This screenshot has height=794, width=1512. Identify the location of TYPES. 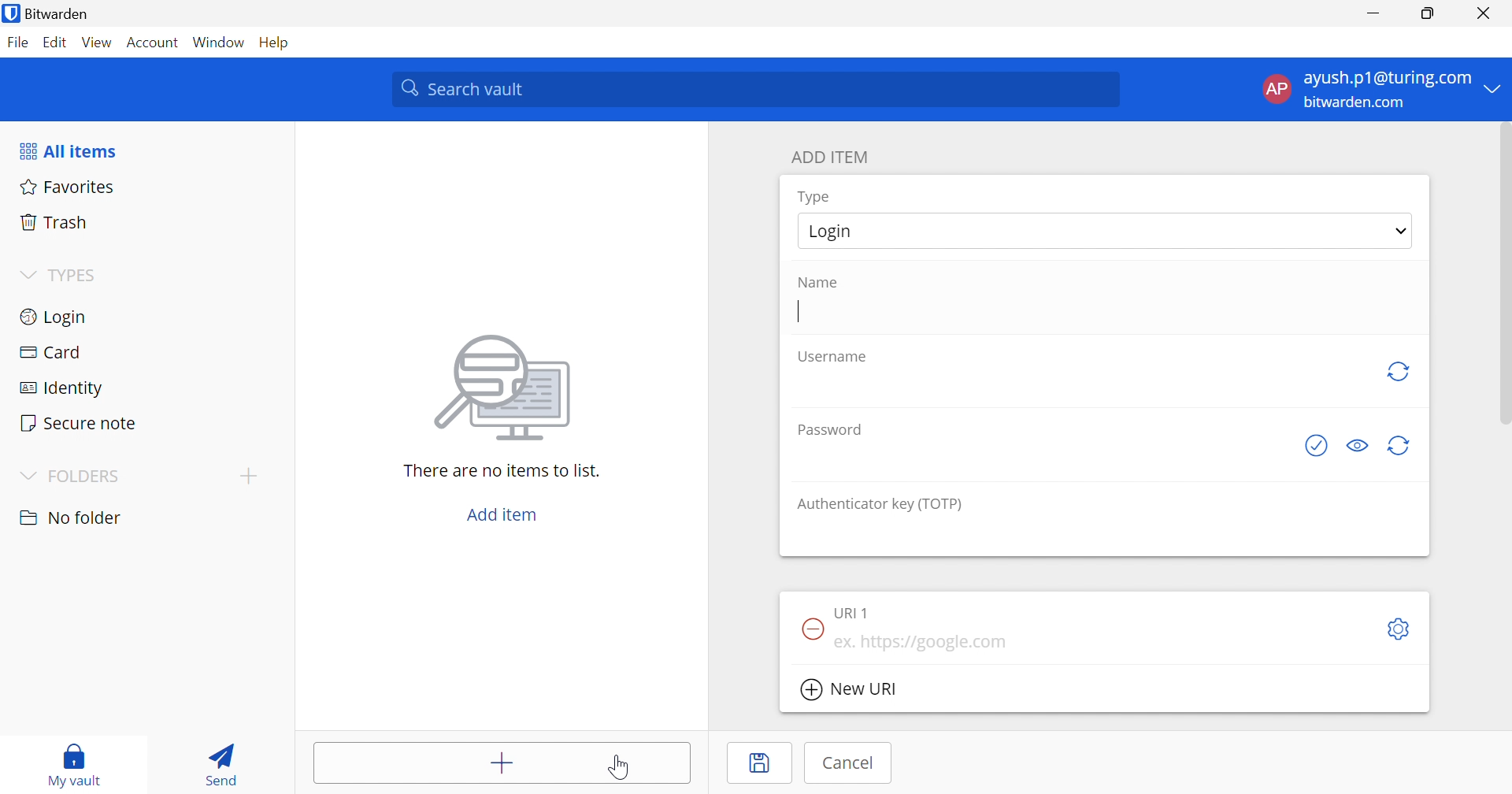
(76, 278).